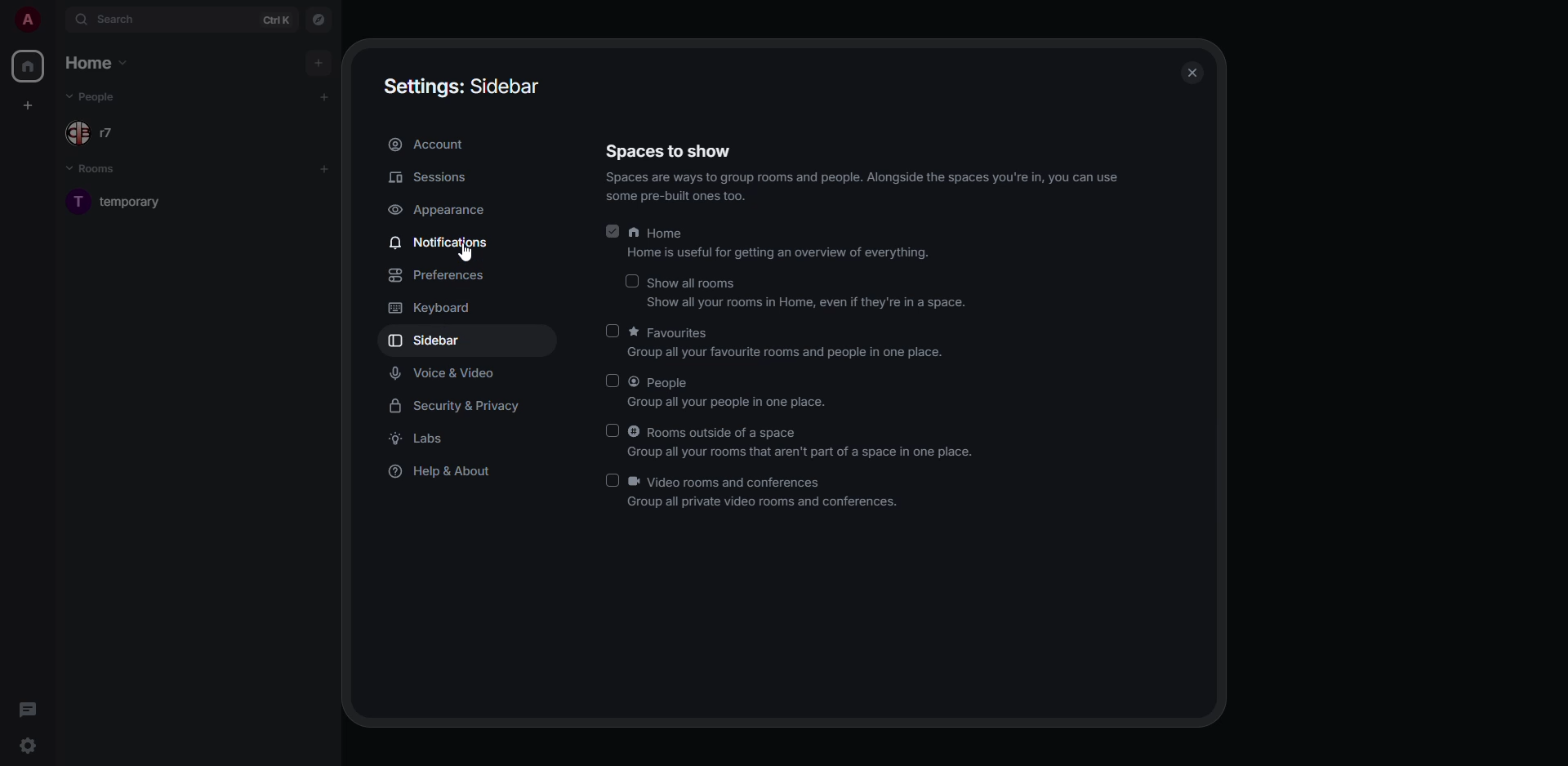  I want to click on preferences, so click(442, 276).